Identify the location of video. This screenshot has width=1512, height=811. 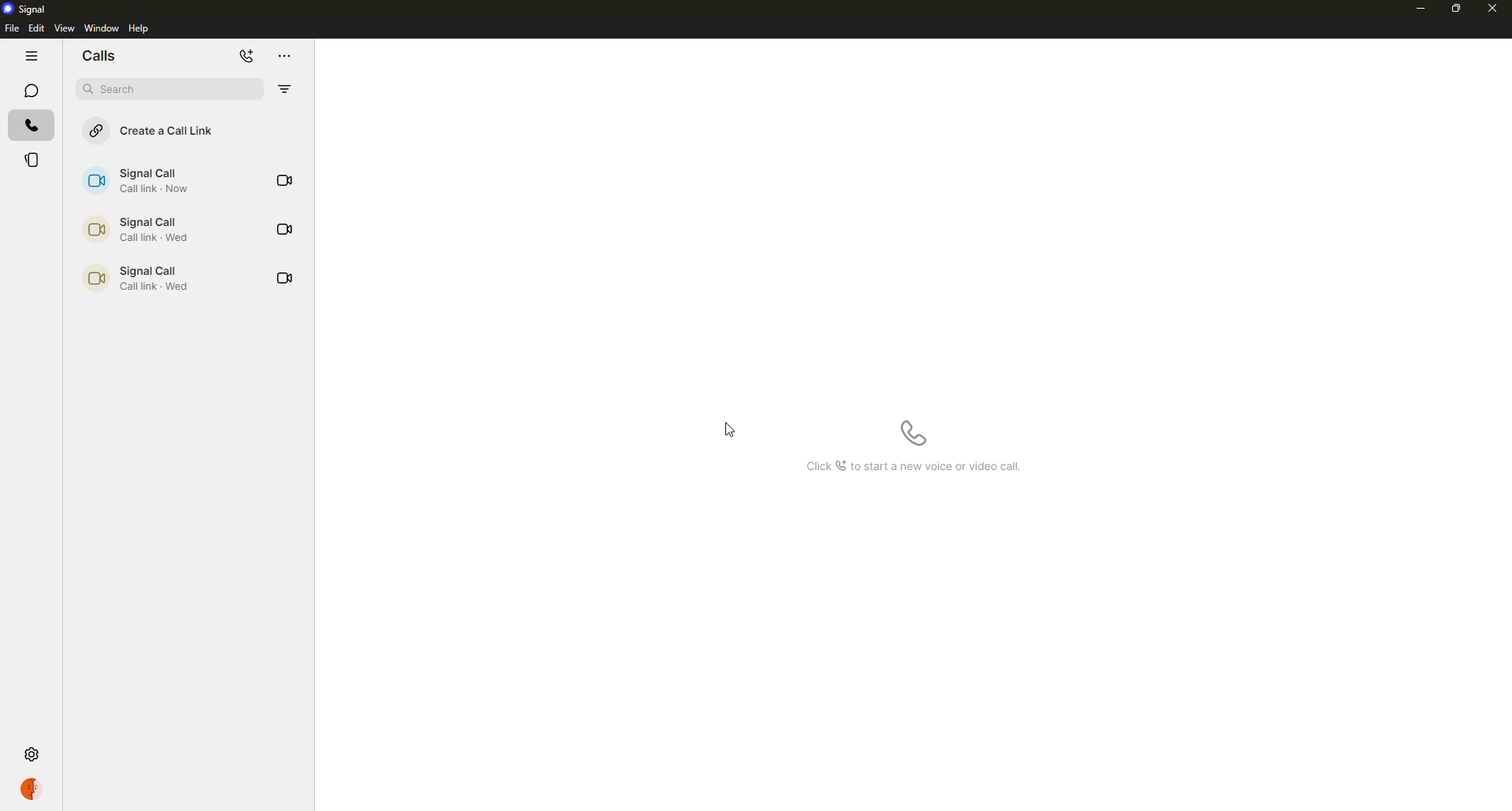
(285, 278).